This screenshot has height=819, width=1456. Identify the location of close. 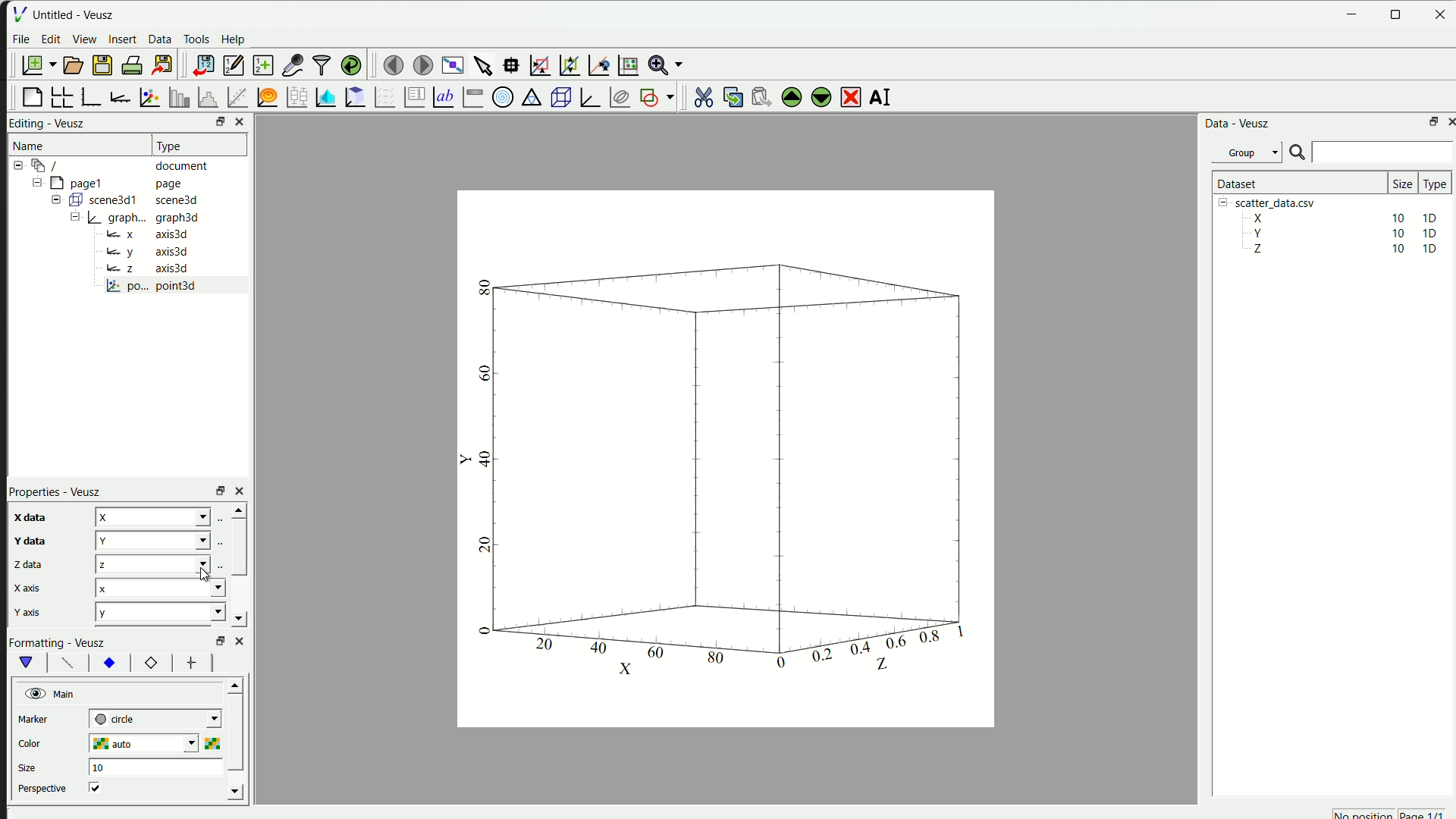
(242, 491).